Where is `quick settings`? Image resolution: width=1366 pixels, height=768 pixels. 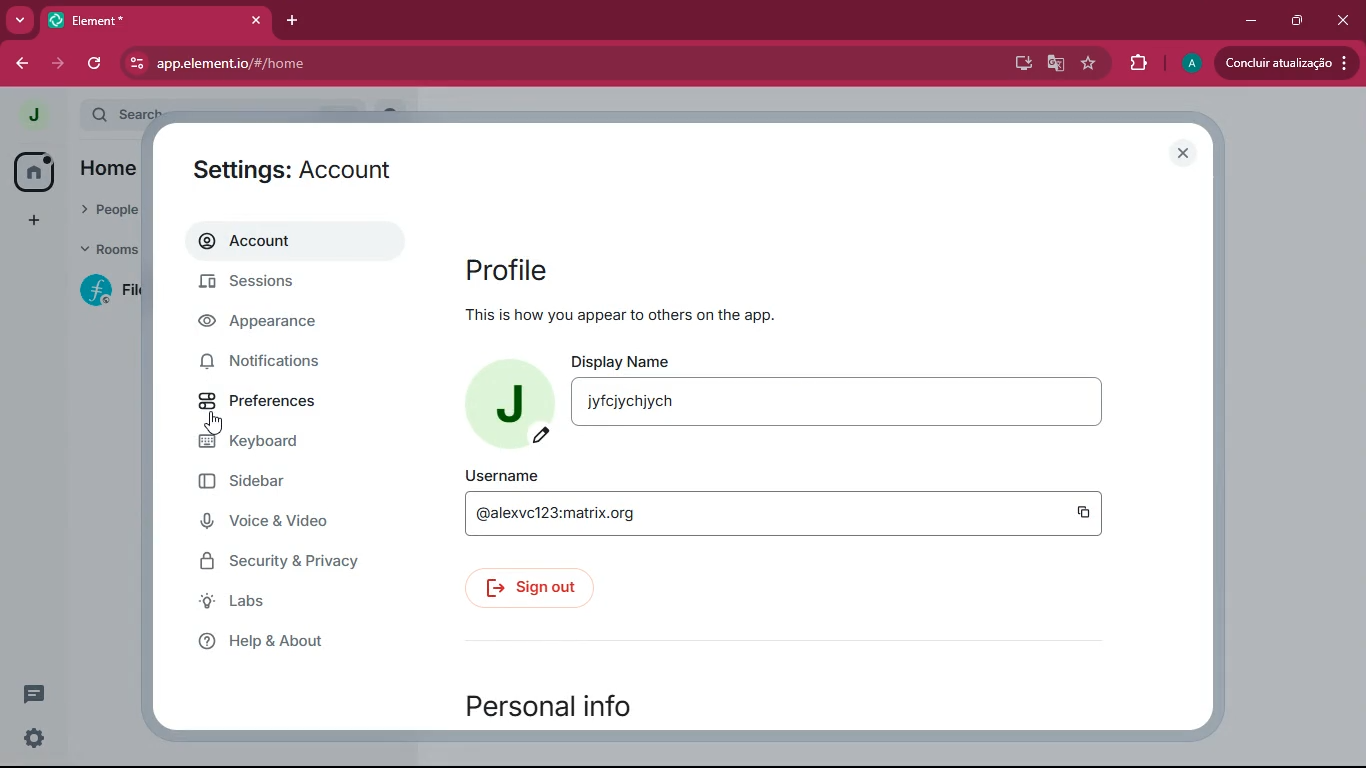
quick settings is located at coordinates (35, 737).